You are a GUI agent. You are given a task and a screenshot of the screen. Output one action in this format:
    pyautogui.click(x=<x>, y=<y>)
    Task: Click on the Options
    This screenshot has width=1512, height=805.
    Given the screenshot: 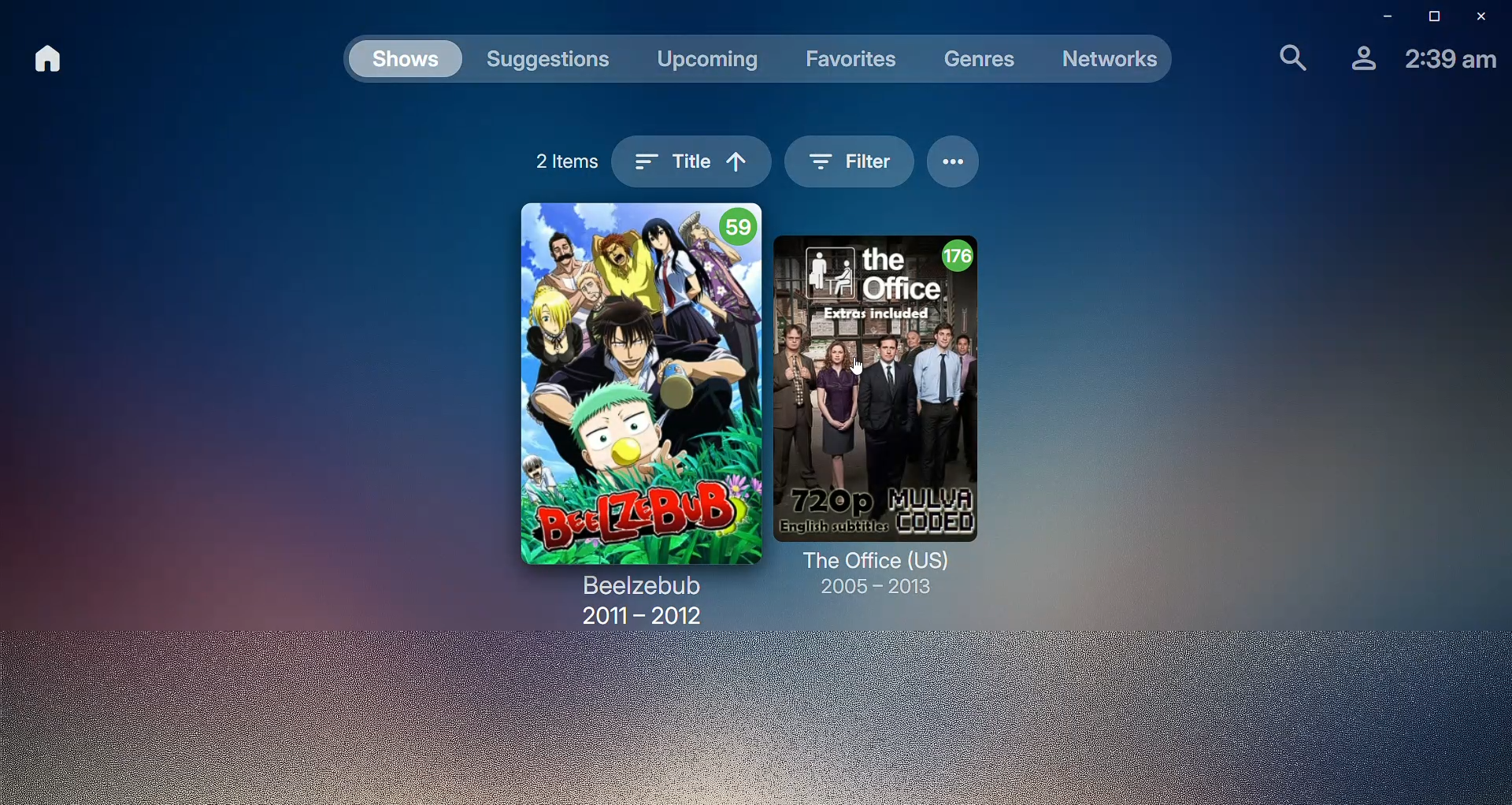 What is the action you would take?
    pyautogui.click(x=956, y=165)
    